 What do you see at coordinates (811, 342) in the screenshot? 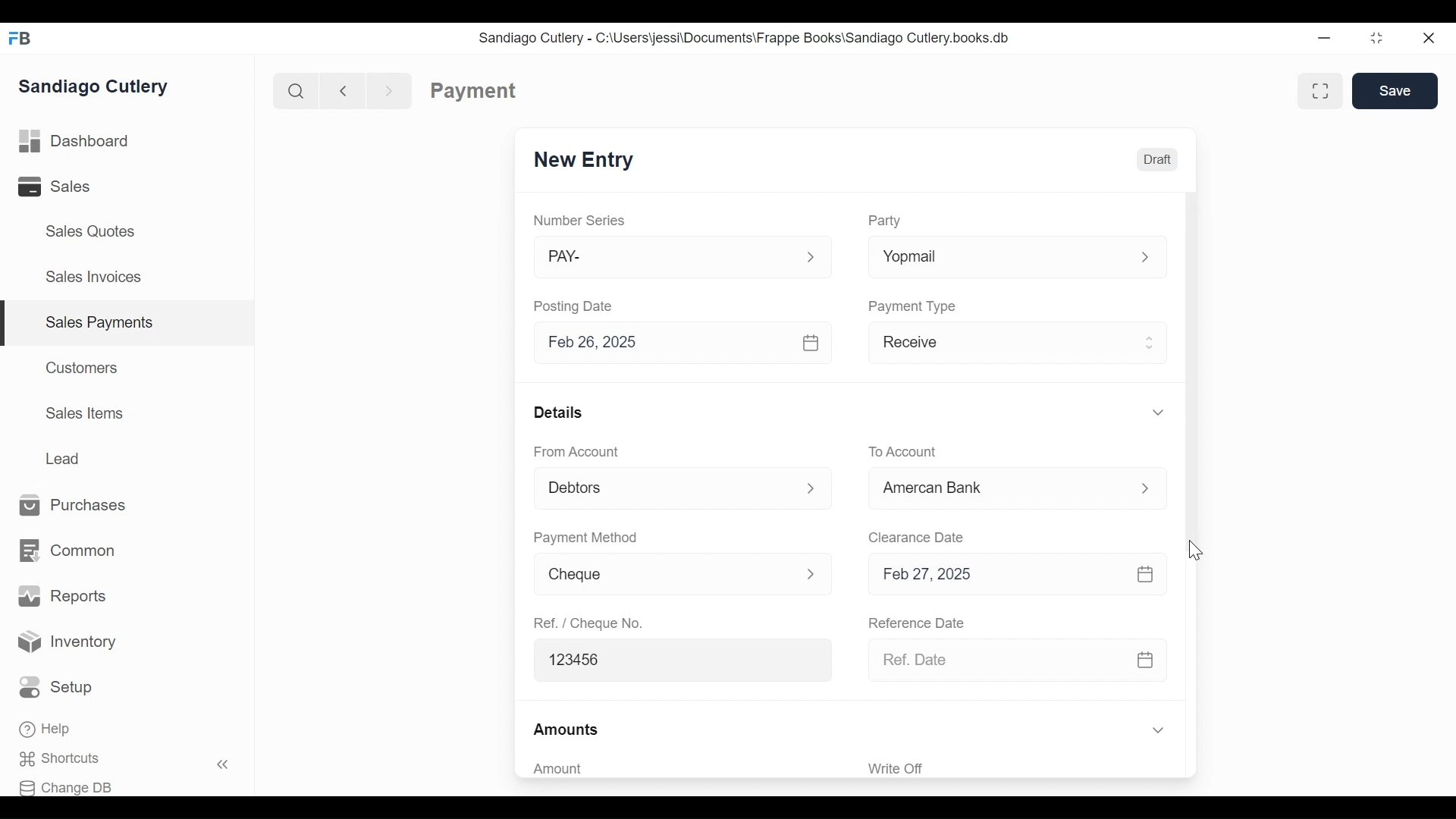
I see `Calendar` at bounding box center [811, 342].